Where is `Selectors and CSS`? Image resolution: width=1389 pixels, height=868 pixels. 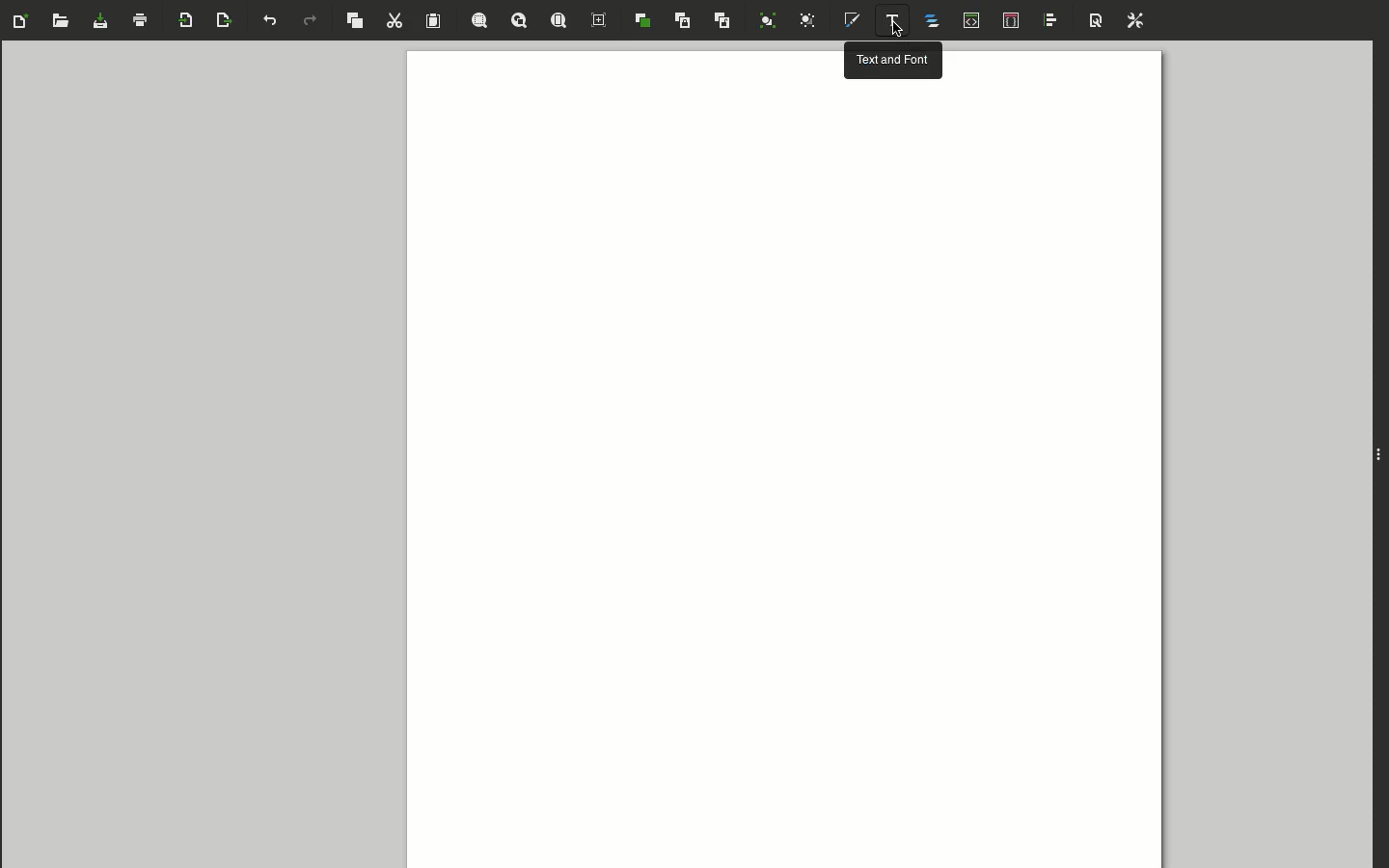 Selectors and CSS is located at coordinates (1015, 21).